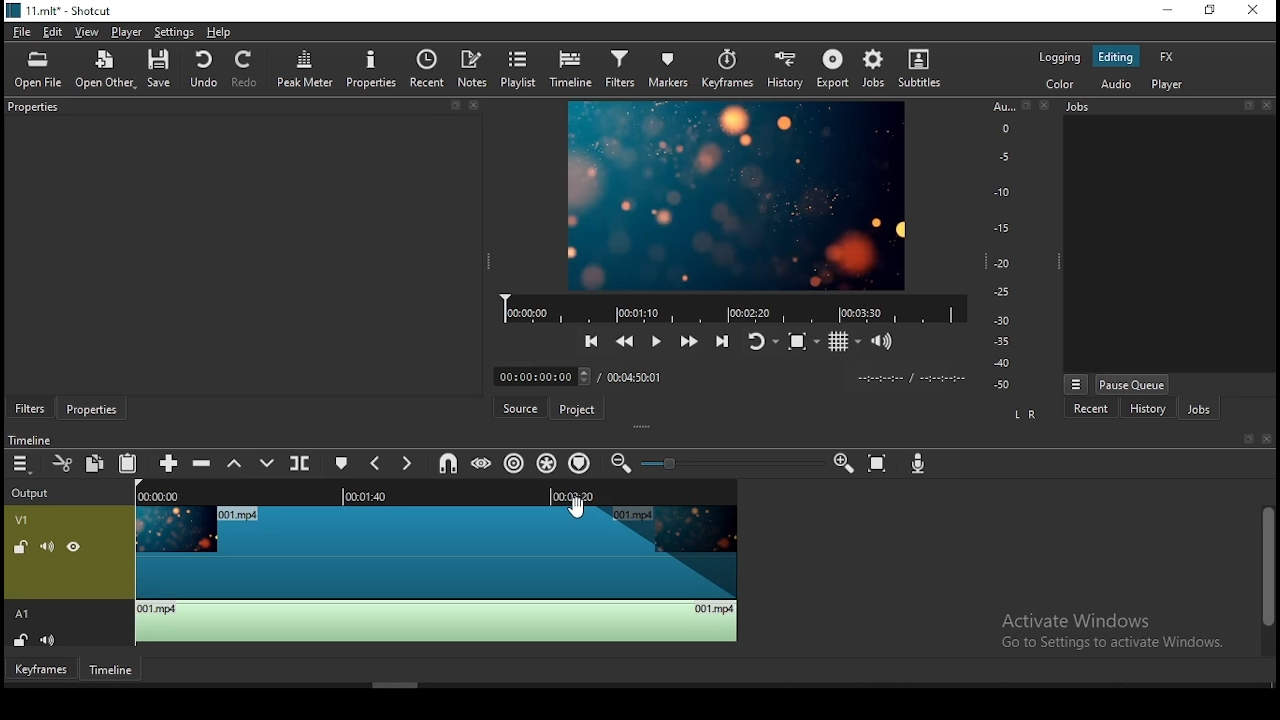  I want to click on video preview, so click(729, 195).